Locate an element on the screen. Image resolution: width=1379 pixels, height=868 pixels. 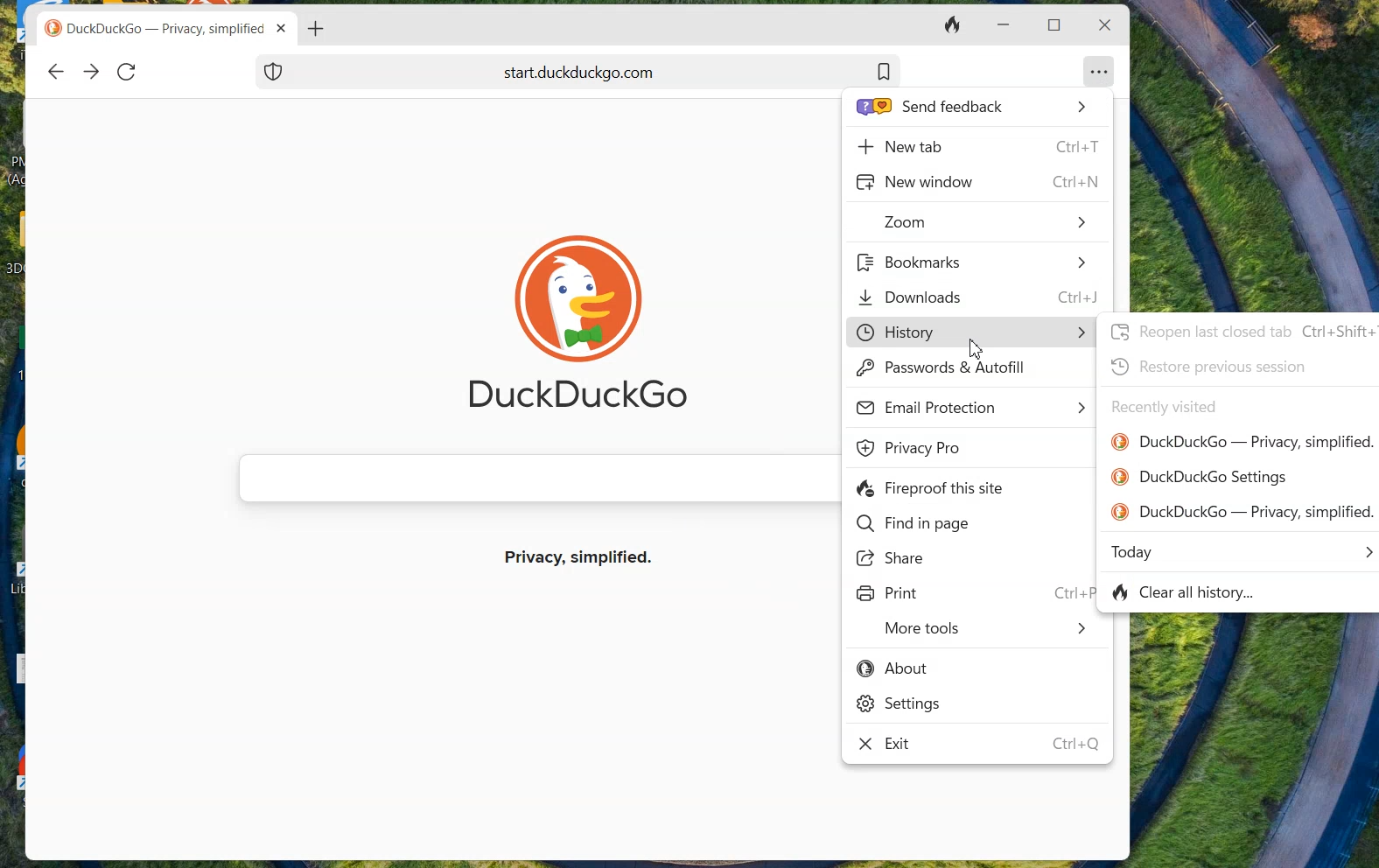
Share is located at coordinates (896, 560).